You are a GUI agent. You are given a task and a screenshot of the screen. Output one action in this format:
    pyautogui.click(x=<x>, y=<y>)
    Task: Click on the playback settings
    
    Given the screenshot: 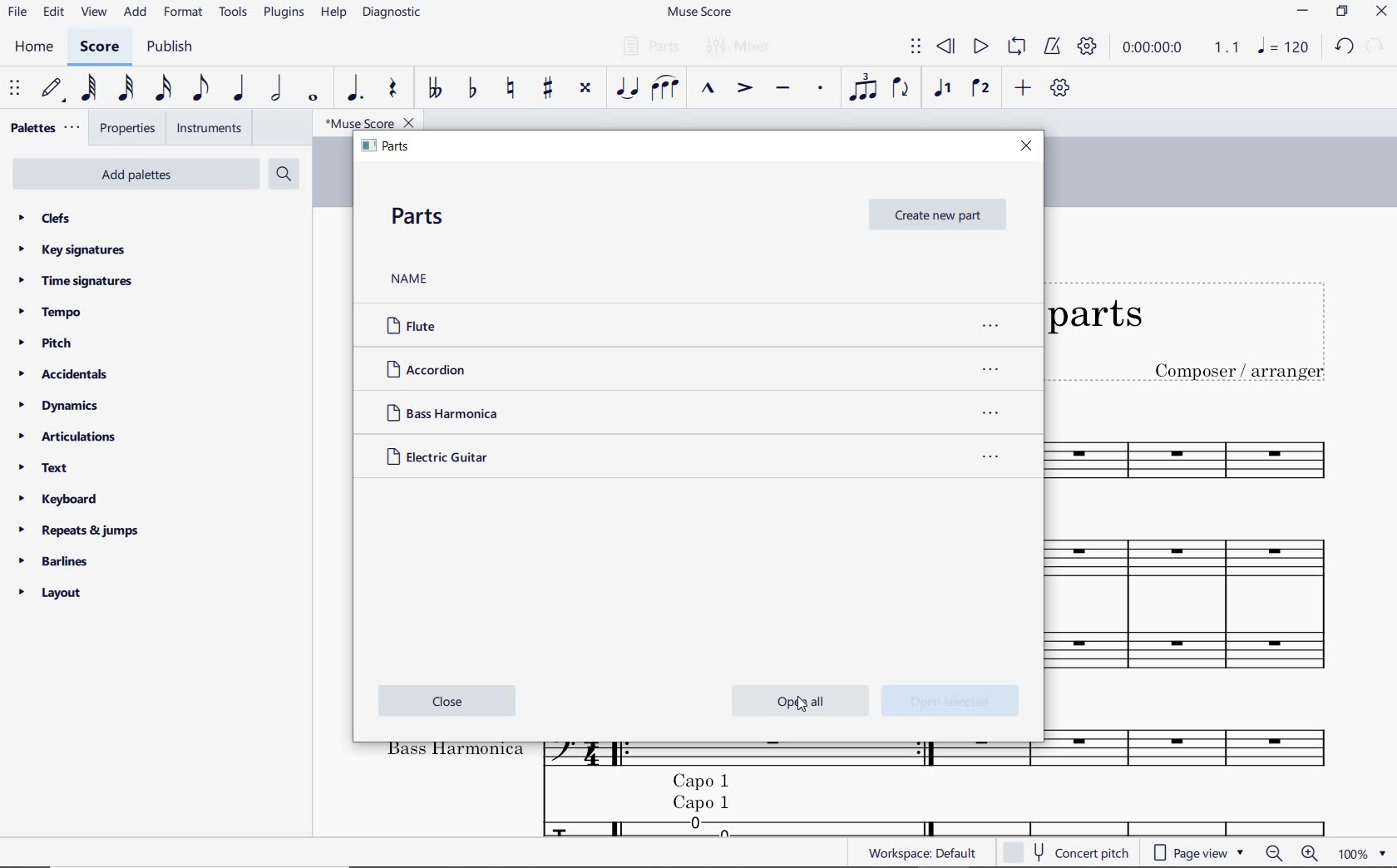 What is the action you would take?
    pyautogui.click(x=1087, y=45)
    